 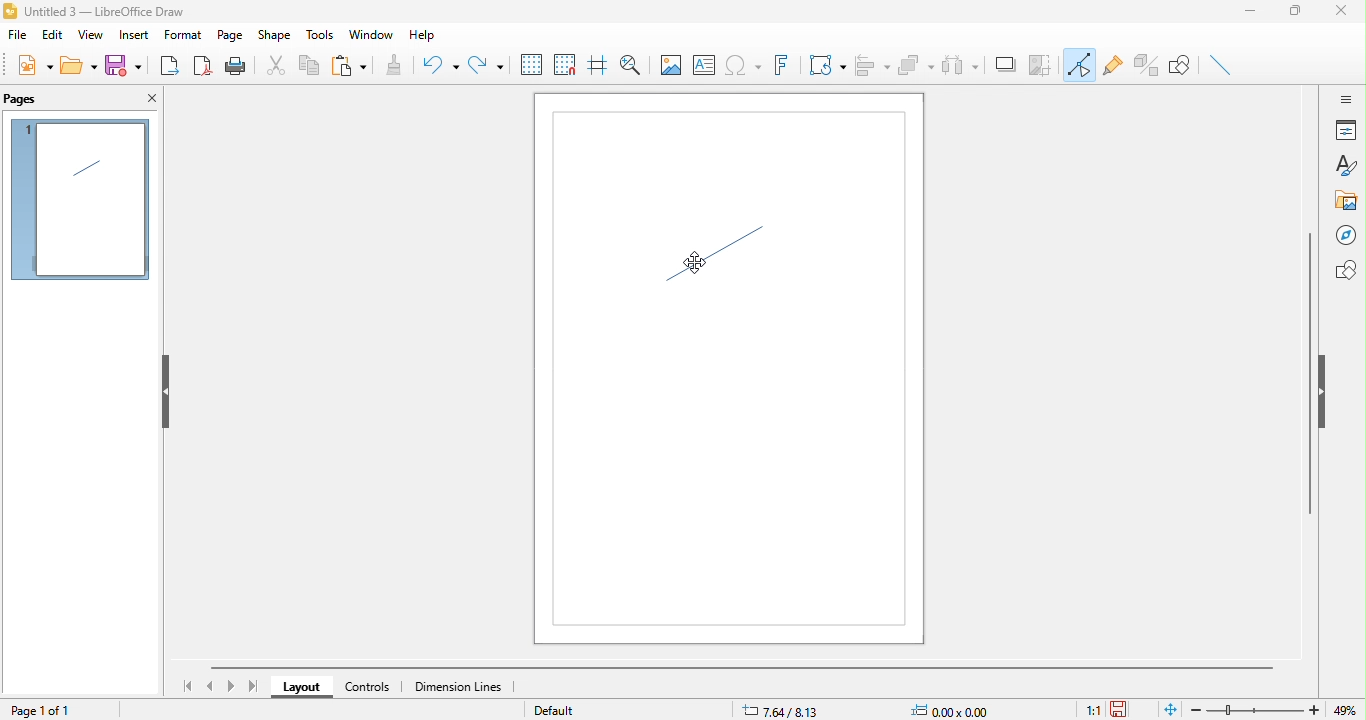 I want to click on export directly as pdf, so click(x=203, y=67).